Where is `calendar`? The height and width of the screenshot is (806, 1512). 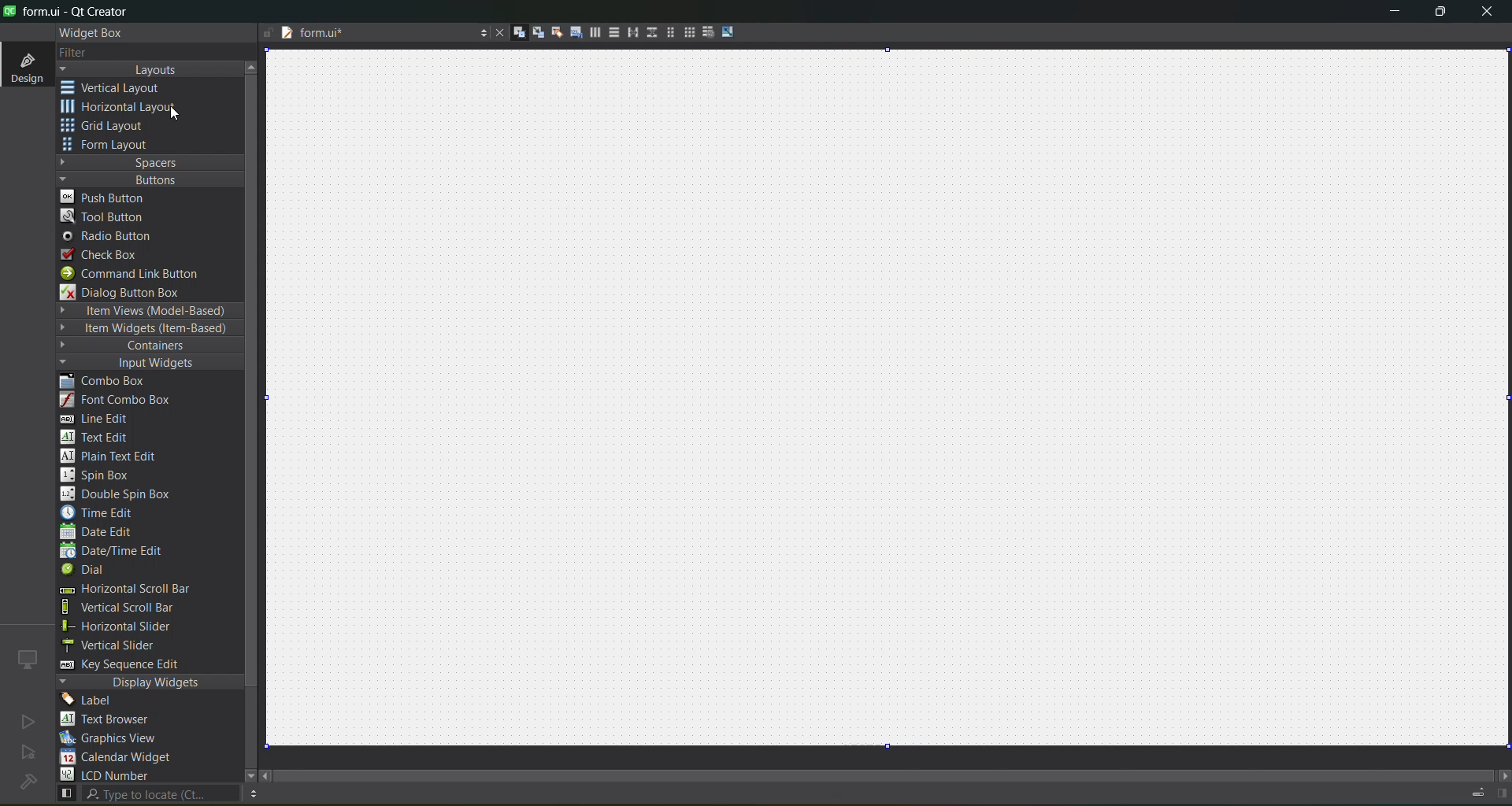
calendar is located at coordinates (118, 759).